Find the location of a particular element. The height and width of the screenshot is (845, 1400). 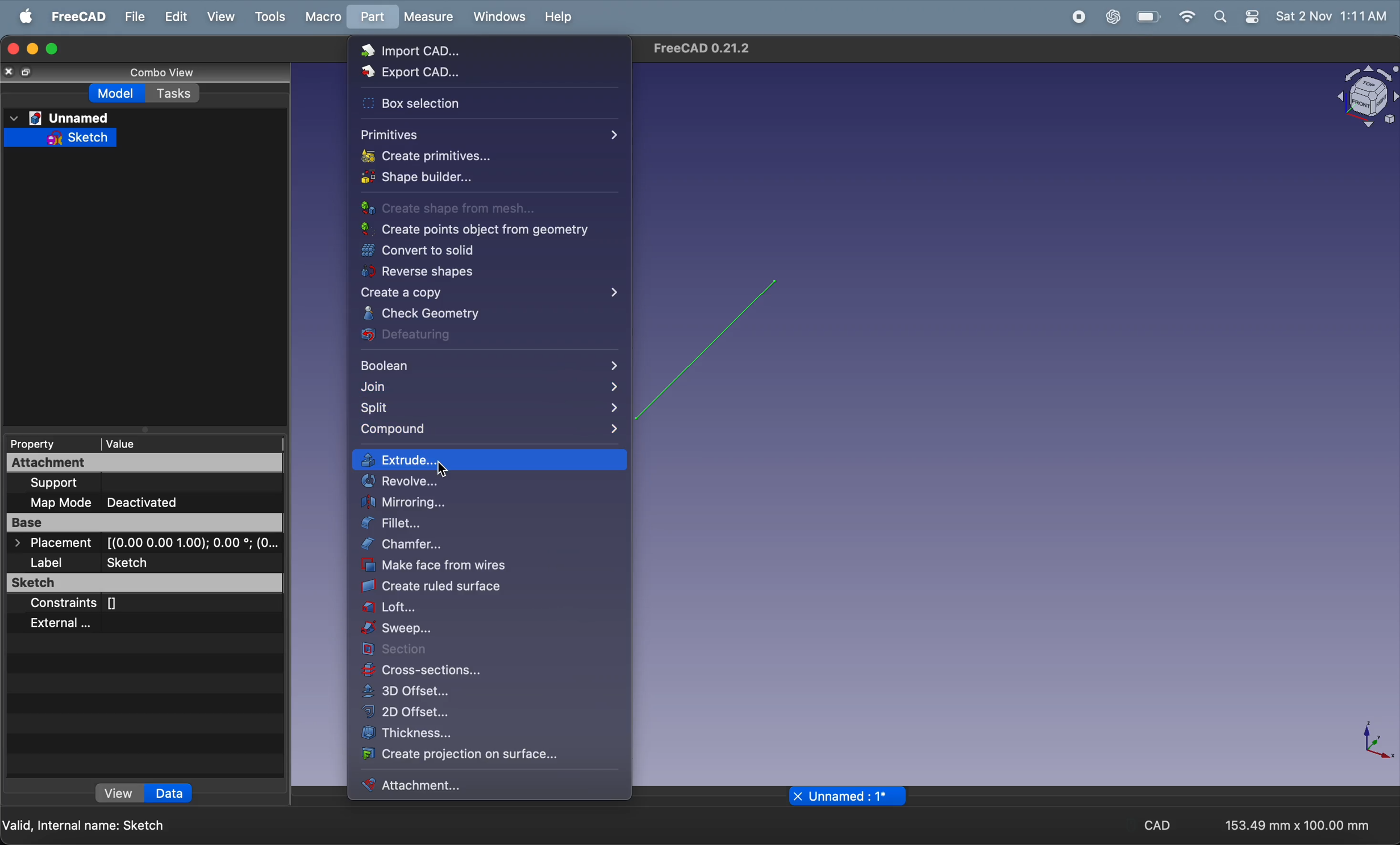

join is located at coordinates (488, 387).